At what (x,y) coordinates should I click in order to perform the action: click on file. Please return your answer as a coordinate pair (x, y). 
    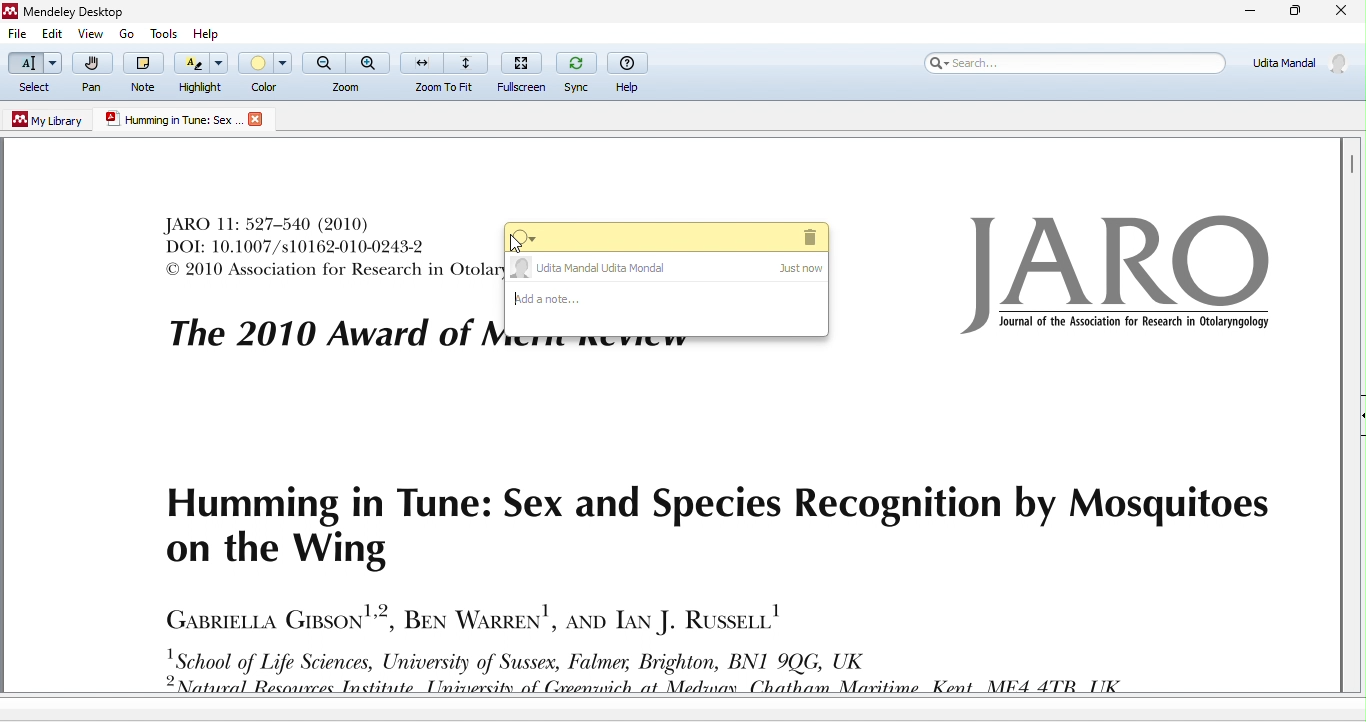
    Looking at the image, I should click on (19, 36).